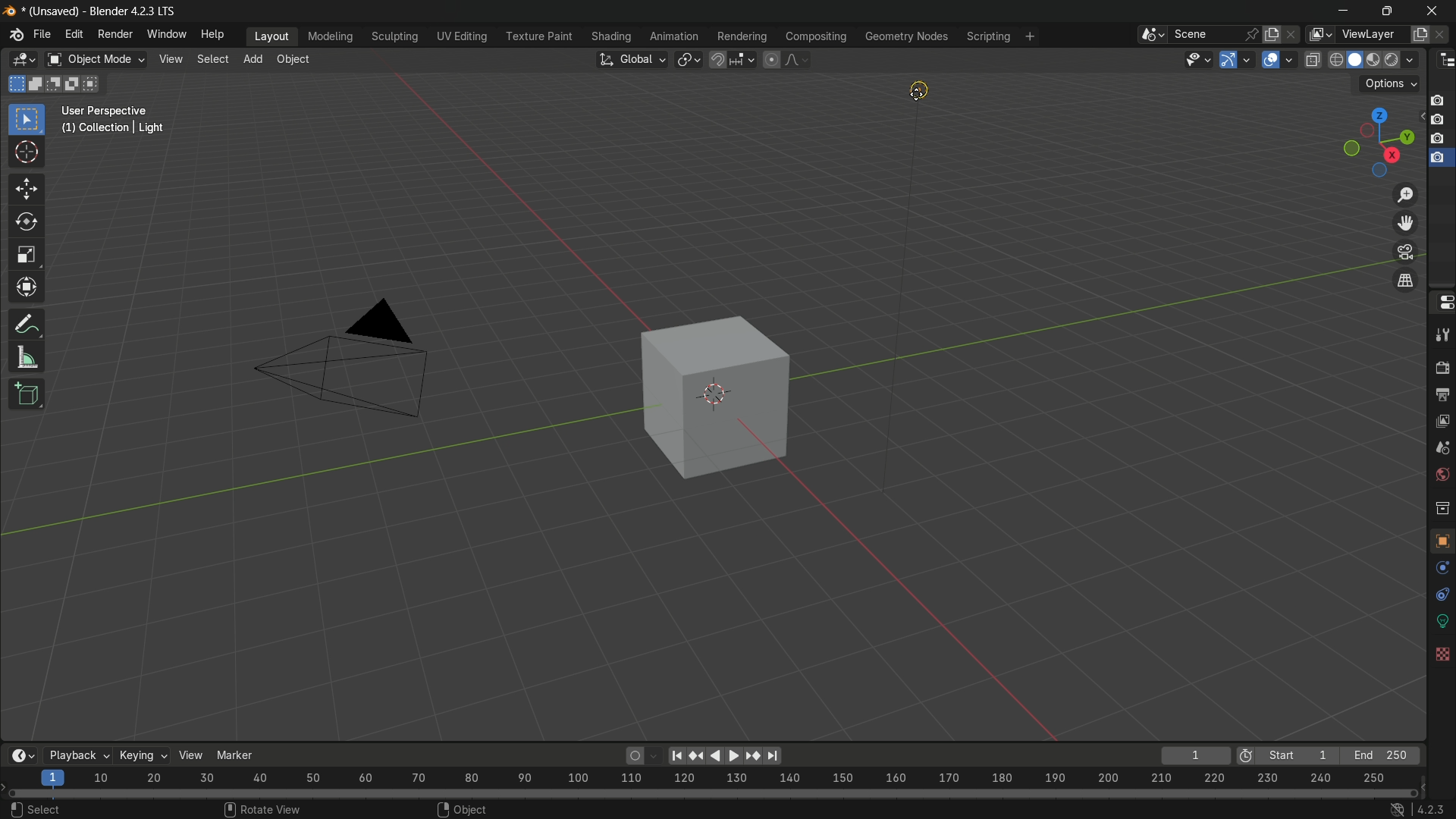 The height and width of the screenshot is (819, 1456). What do you see at coordinates (1442, 61) in the screenshot?
I see `editor type` at bounding box center [1442, 61].